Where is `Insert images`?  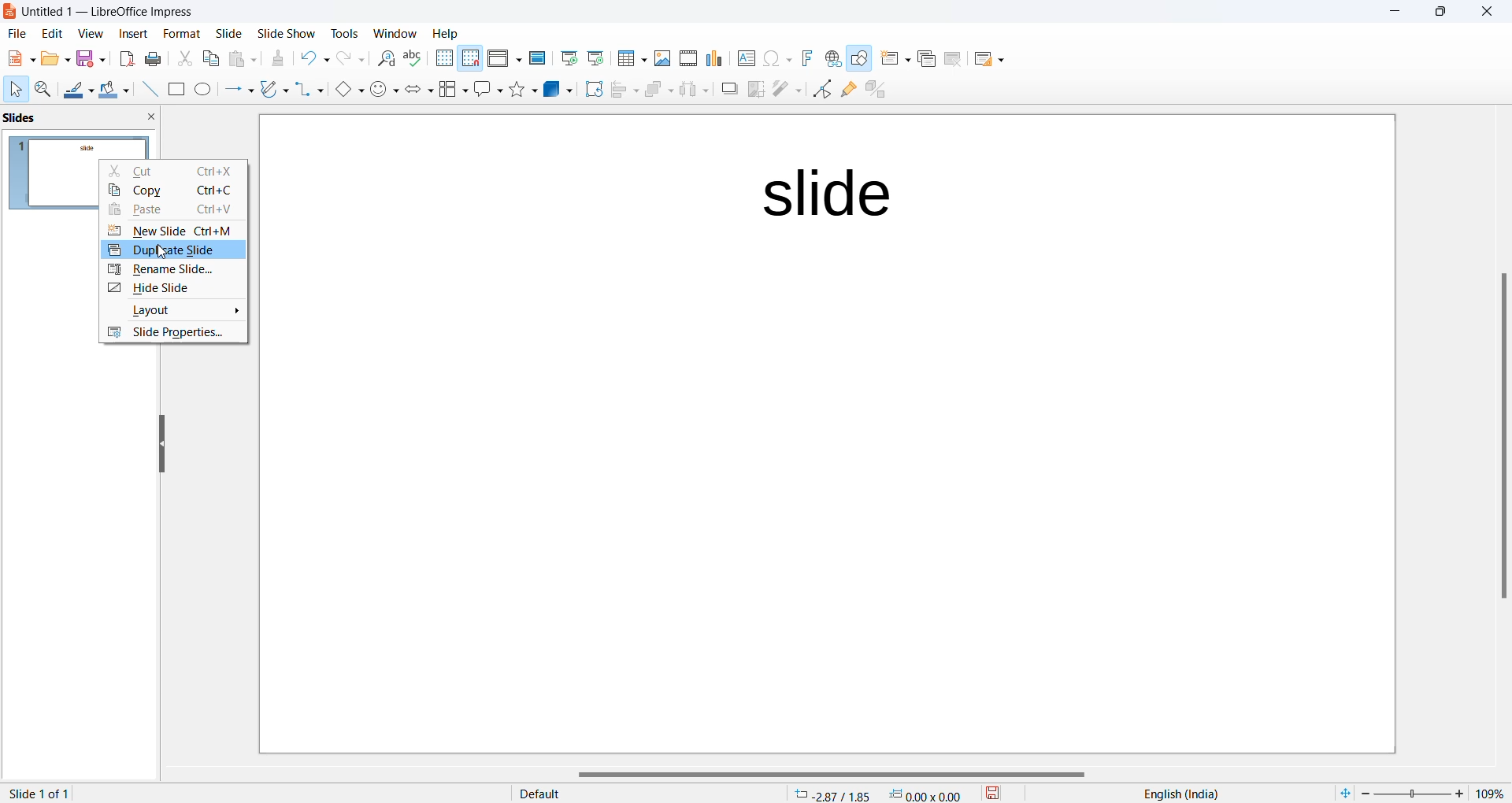
Insert images is located at coordinates (660, 57).